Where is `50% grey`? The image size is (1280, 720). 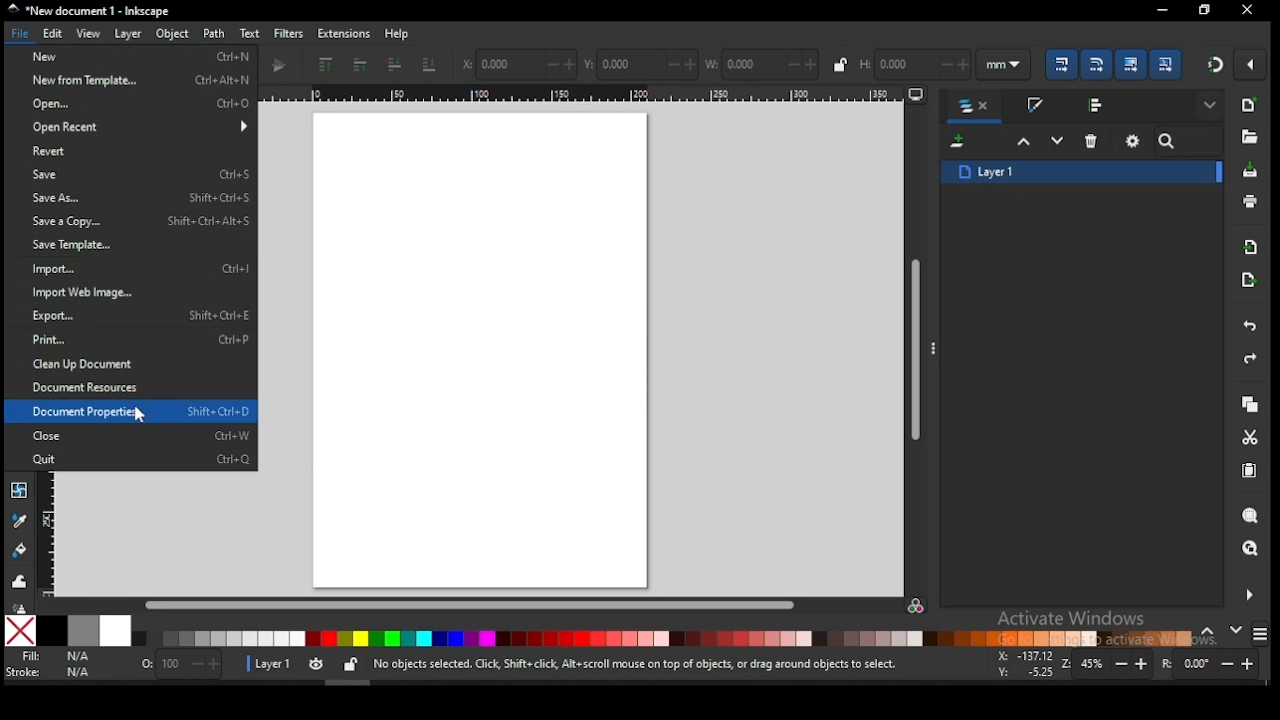
50% grey is located at coordinates (83, 631).